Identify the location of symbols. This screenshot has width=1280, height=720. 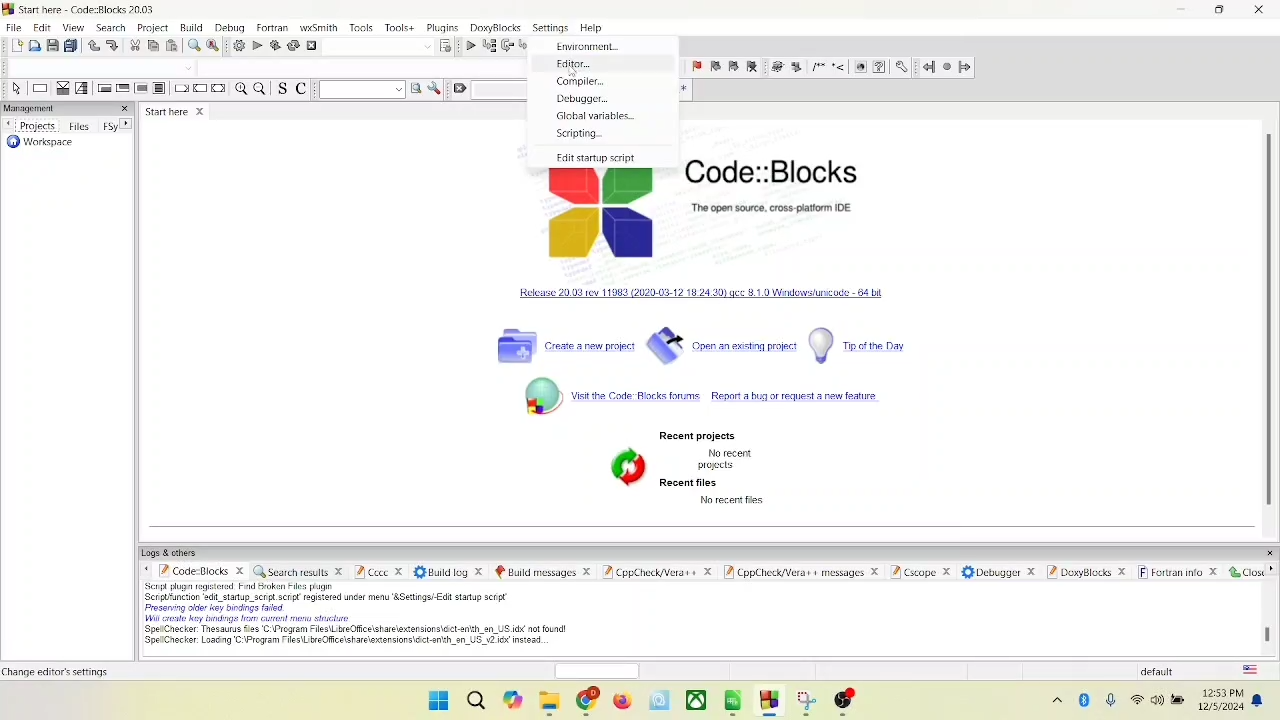
(808, 66).